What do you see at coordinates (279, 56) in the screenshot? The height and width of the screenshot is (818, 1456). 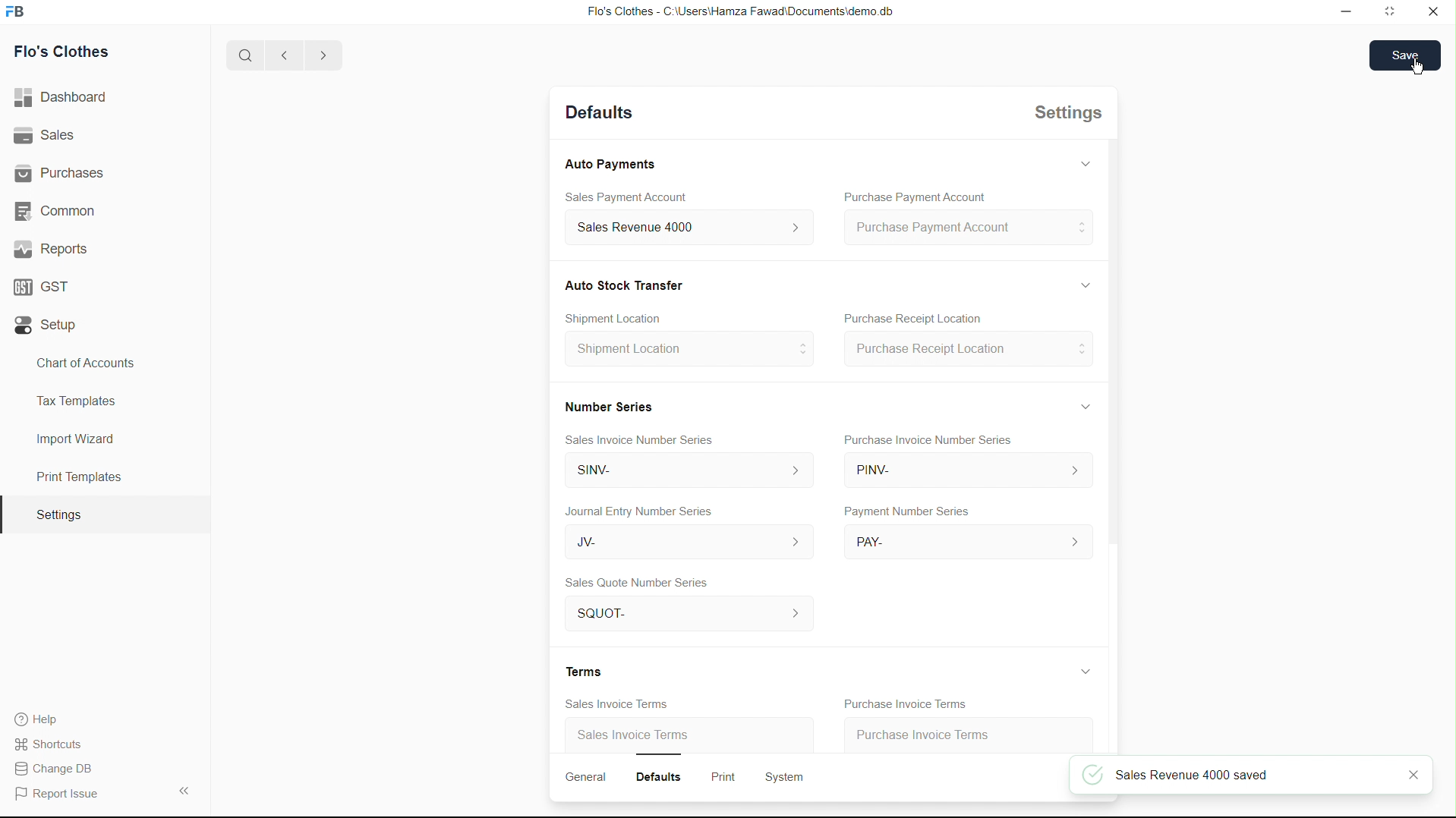 I see `Back` at bounding box center [279, 56].